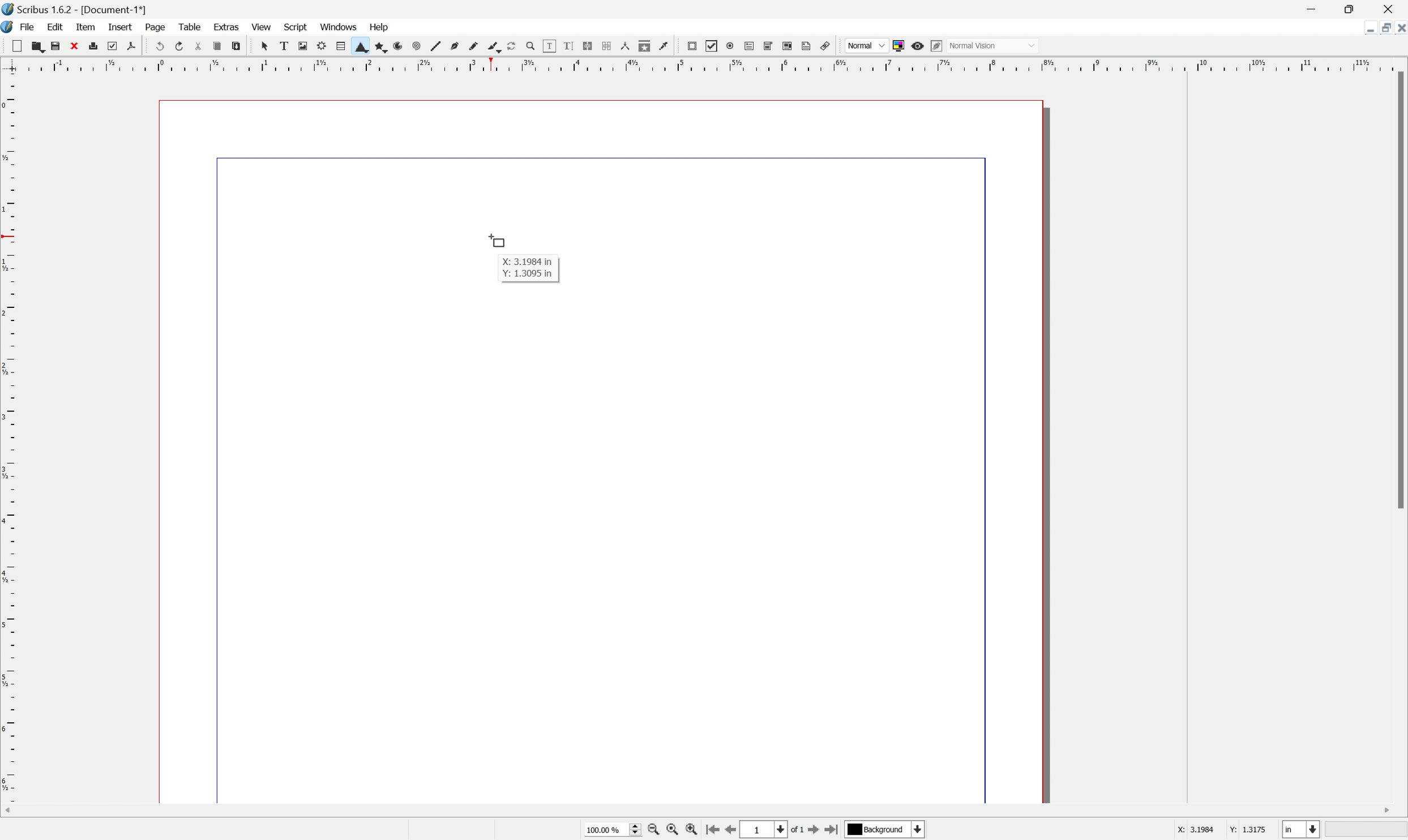  I want to click on Render frame, so click(322, 47).